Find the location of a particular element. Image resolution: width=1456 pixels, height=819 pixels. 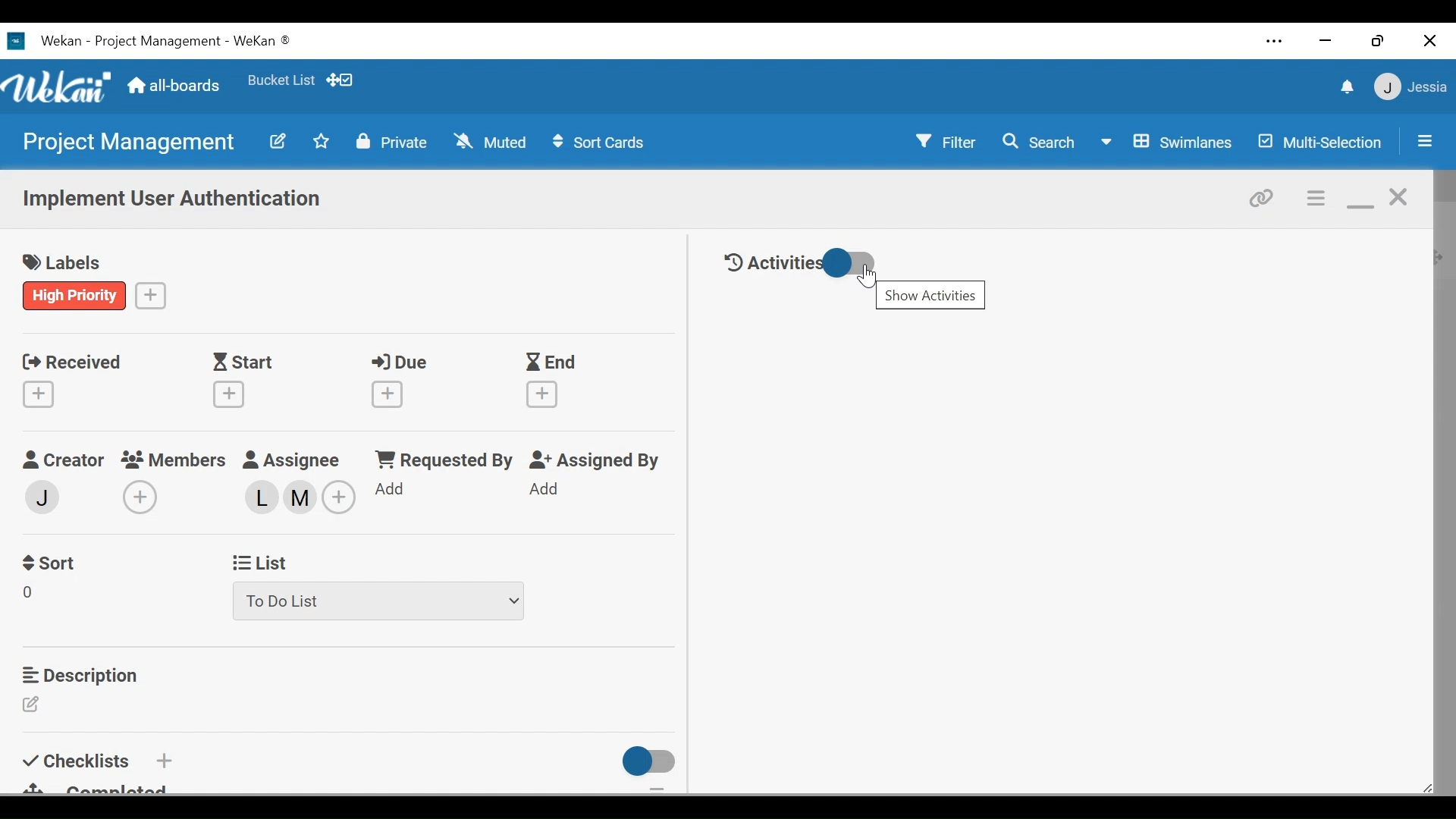

Received Date is located at coordinates (71, 359).